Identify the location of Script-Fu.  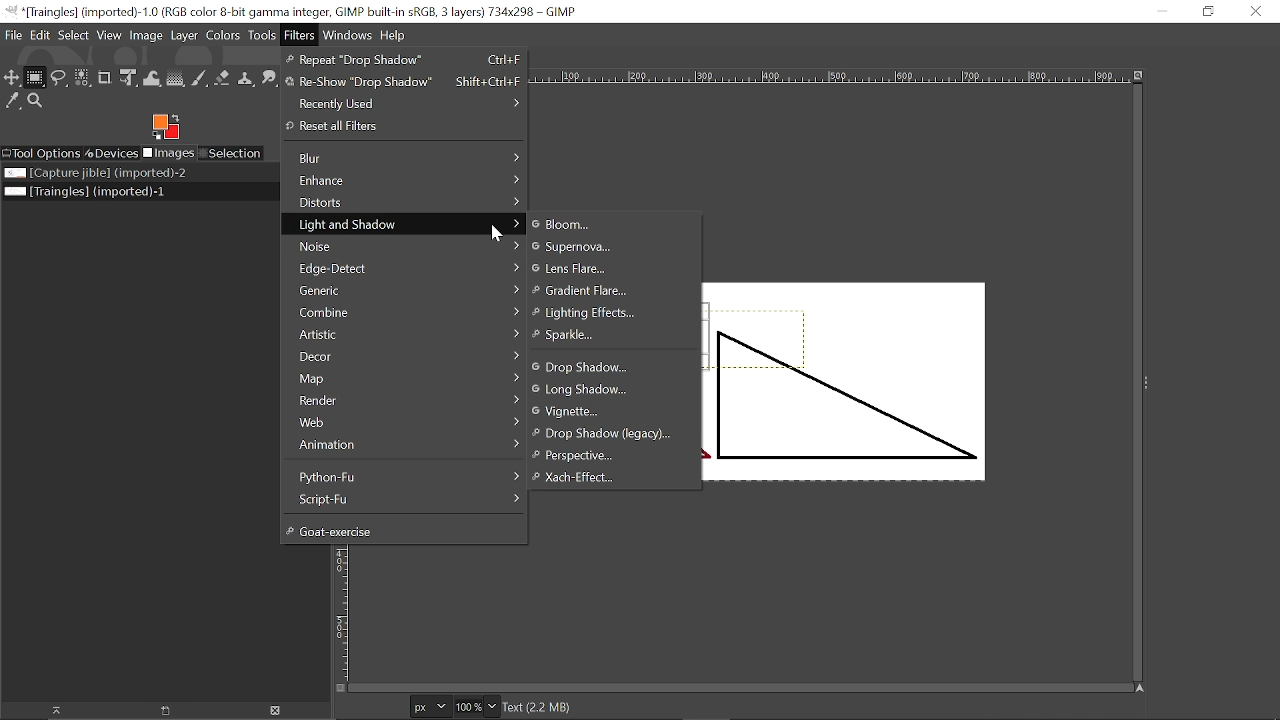
(411, 501).